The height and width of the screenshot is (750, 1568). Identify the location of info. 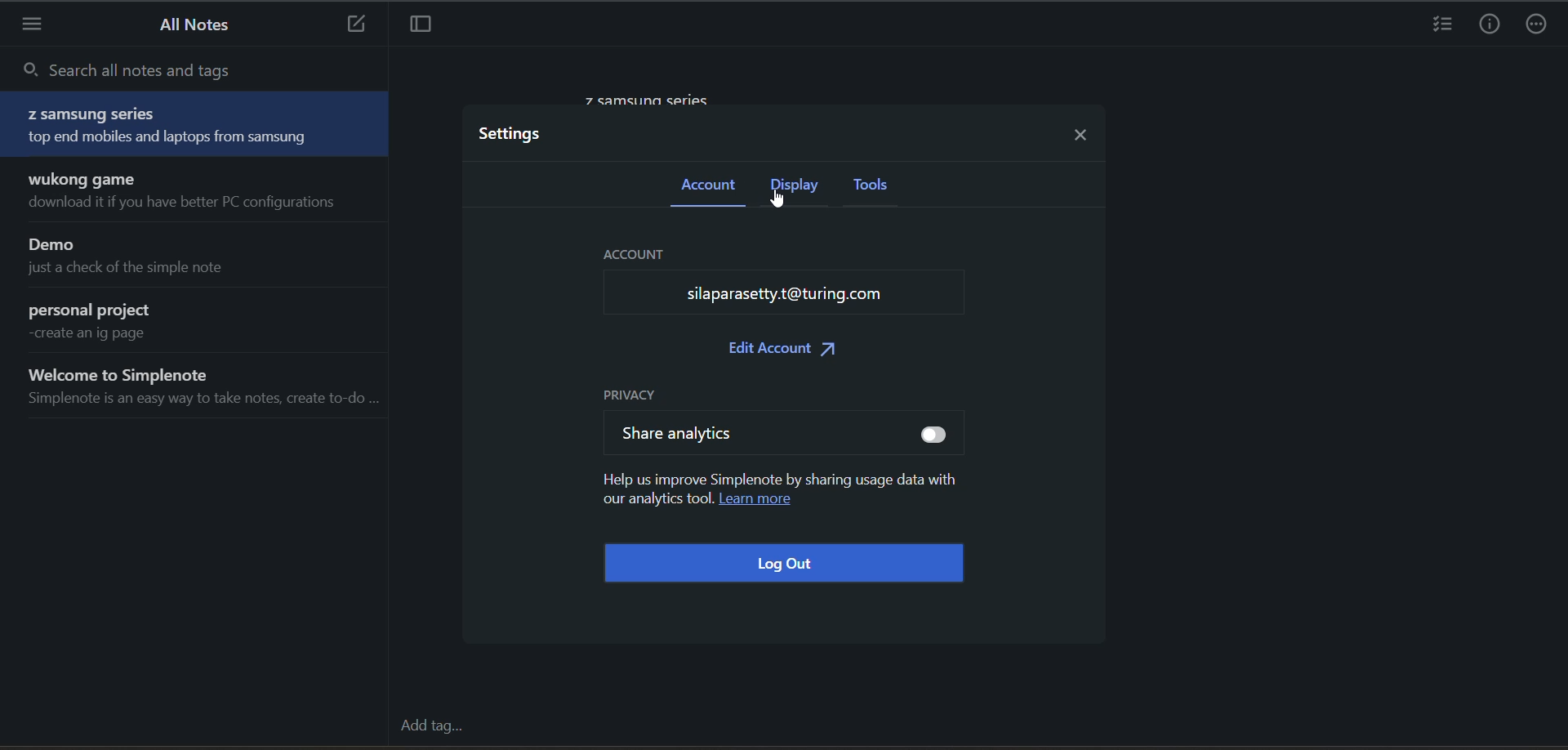
(1490, 25).